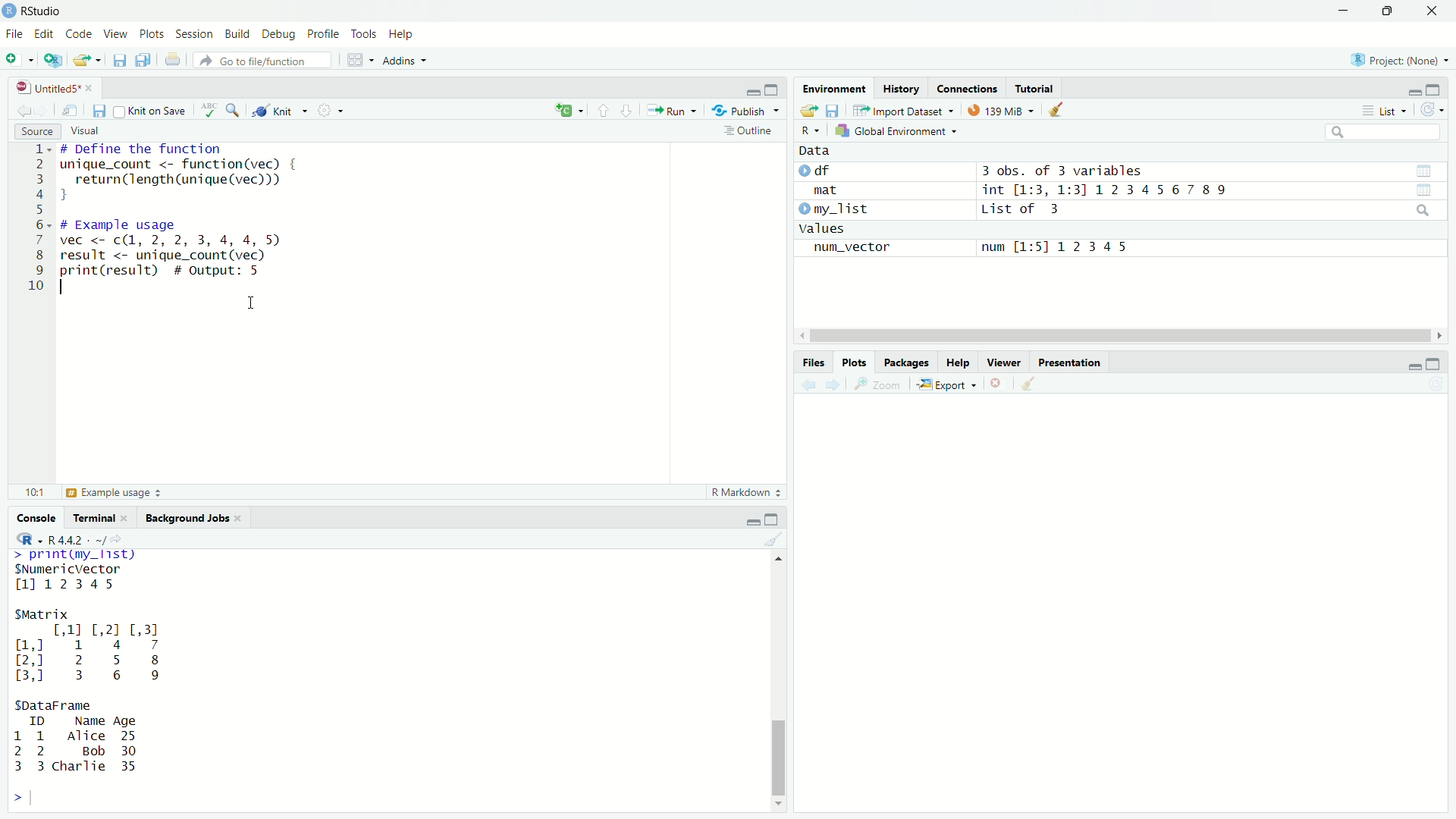 Image resolution: width=1456 pixels, height=819 pixels. Describe the element at coordinates (774, 90) in the screenshot. I see `maximize` at that location.